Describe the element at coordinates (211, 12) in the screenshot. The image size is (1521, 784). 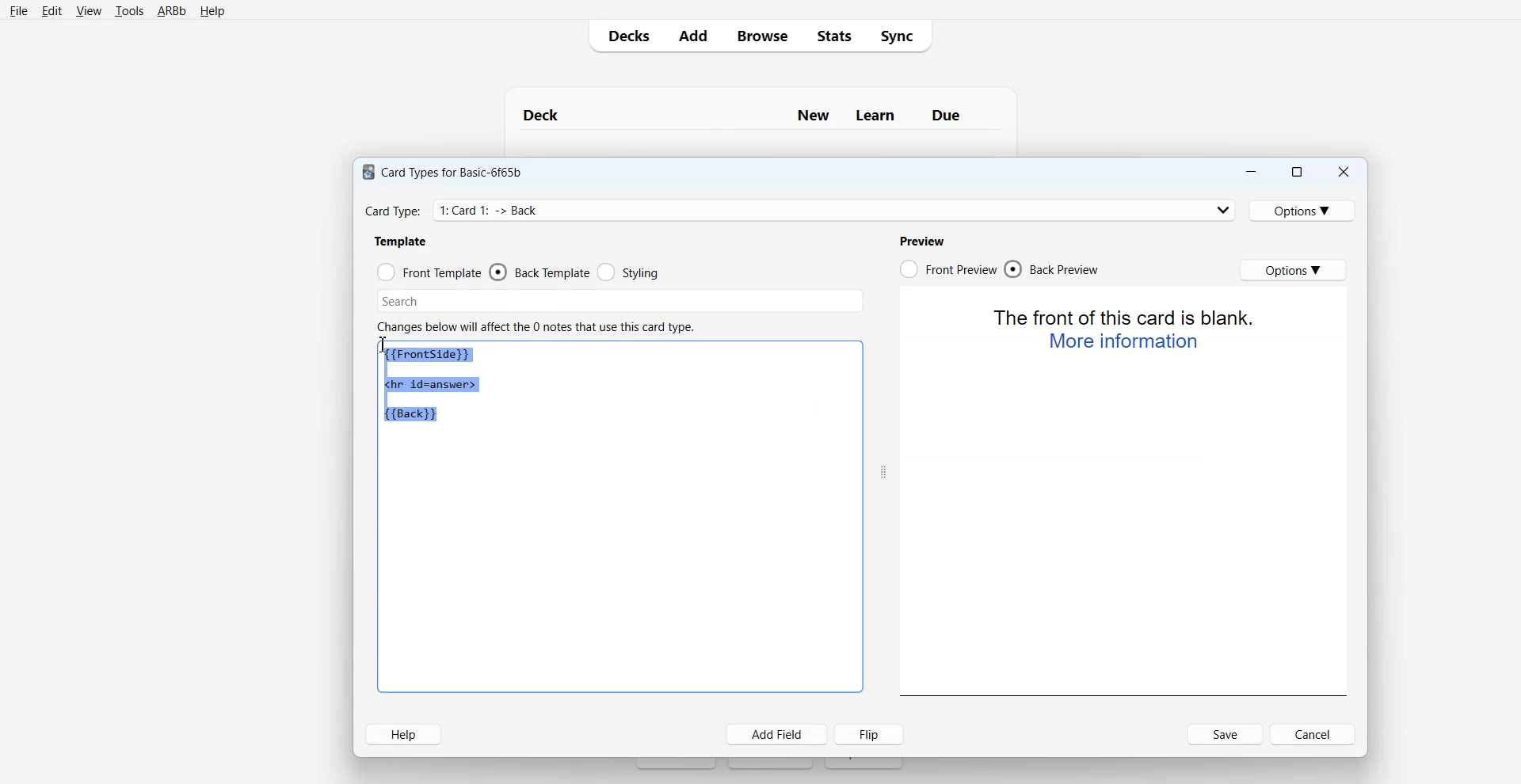
I see `Help` at that location.